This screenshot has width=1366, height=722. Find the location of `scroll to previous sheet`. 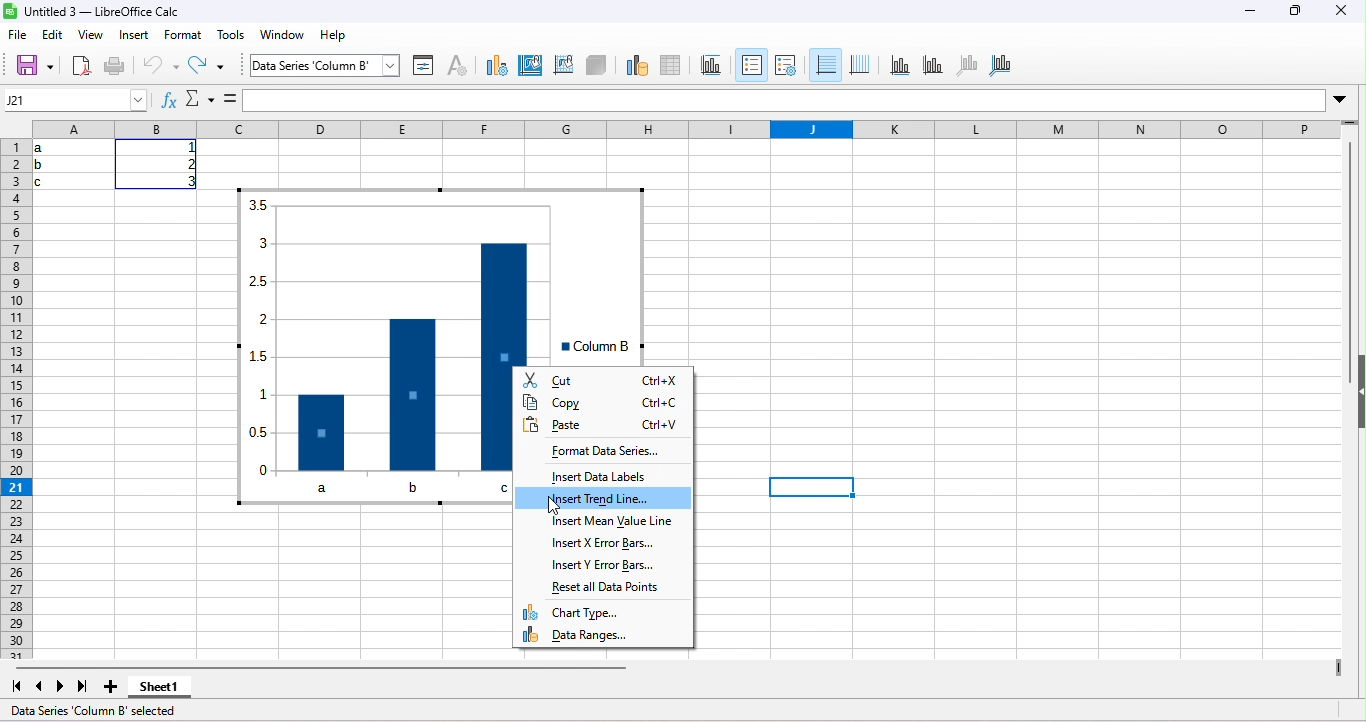

scroll to previous sheet is located at coordinates (41, 687).